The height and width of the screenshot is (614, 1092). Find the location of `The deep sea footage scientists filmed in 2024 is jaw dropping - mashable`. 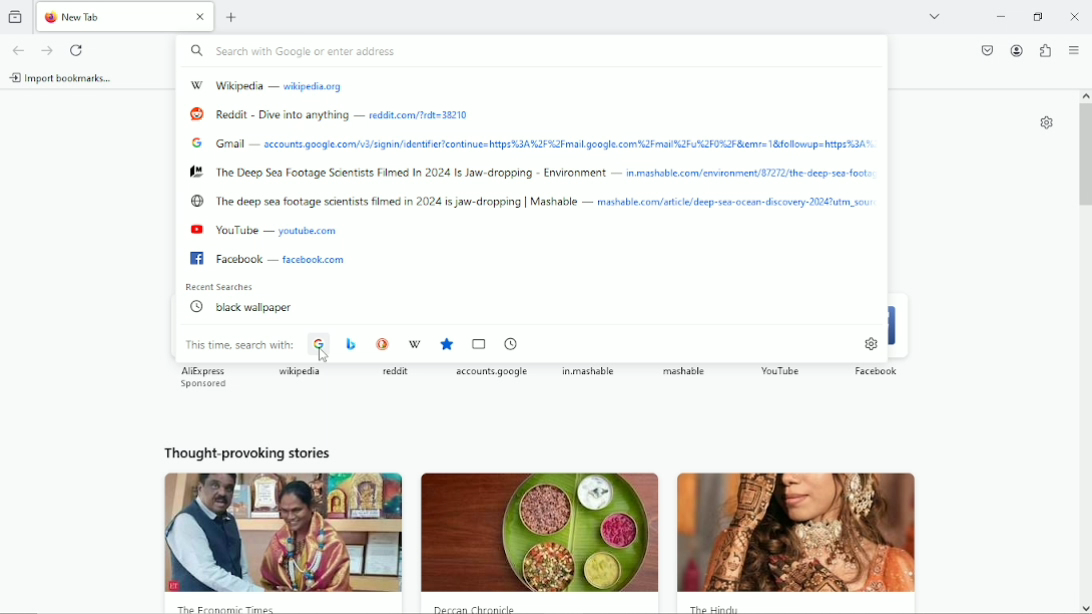

The deep sea footage scientists filmed in 2024 is jaw dropping - mashable is located at coordinates (403, 201).